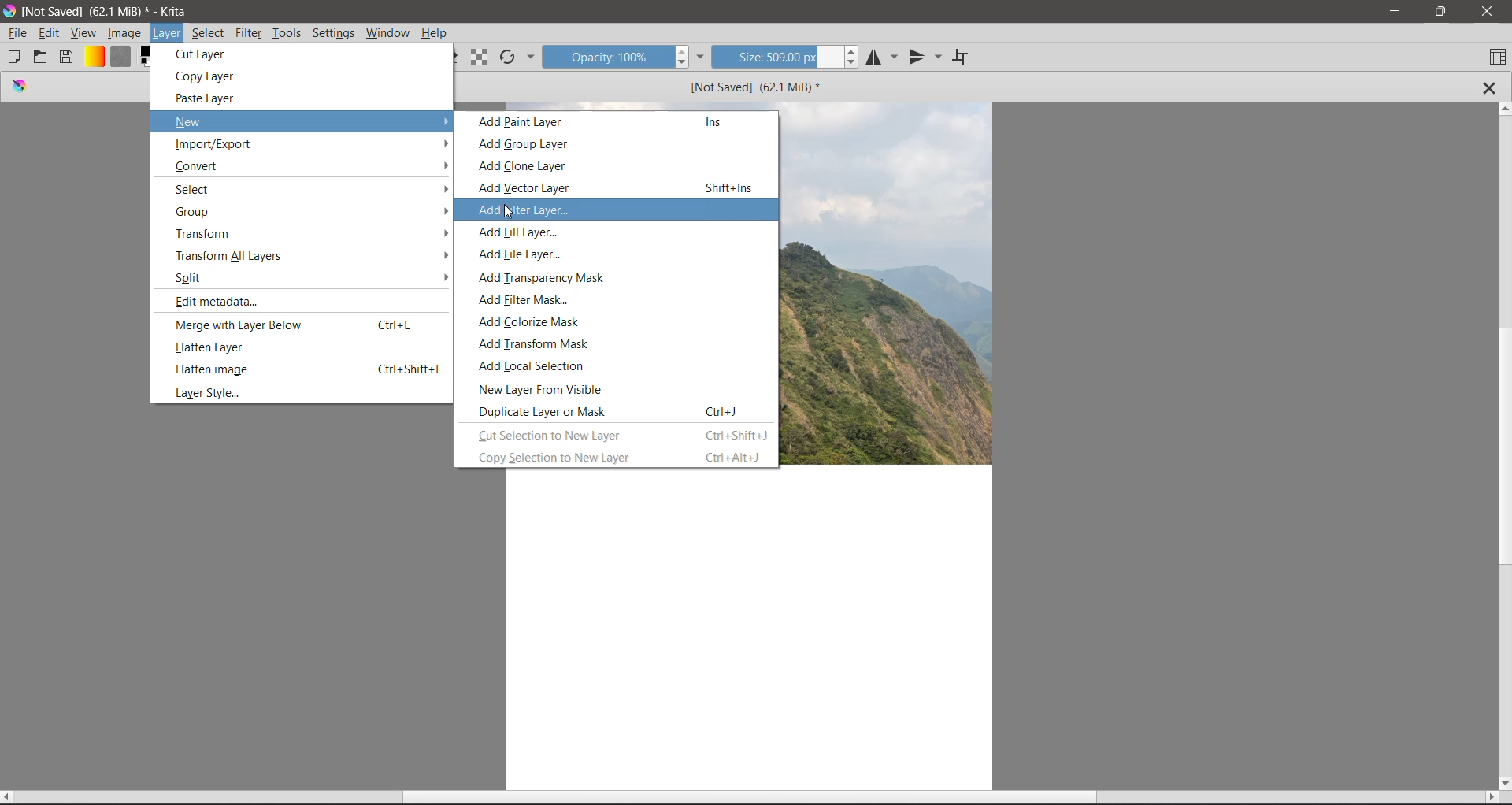 Image resolution: width=1512 pixels, height=805 pixels. What do you see at coordinates (313, 234) in the screenshot?
I see `Transform` at bounding box center [313, 234].